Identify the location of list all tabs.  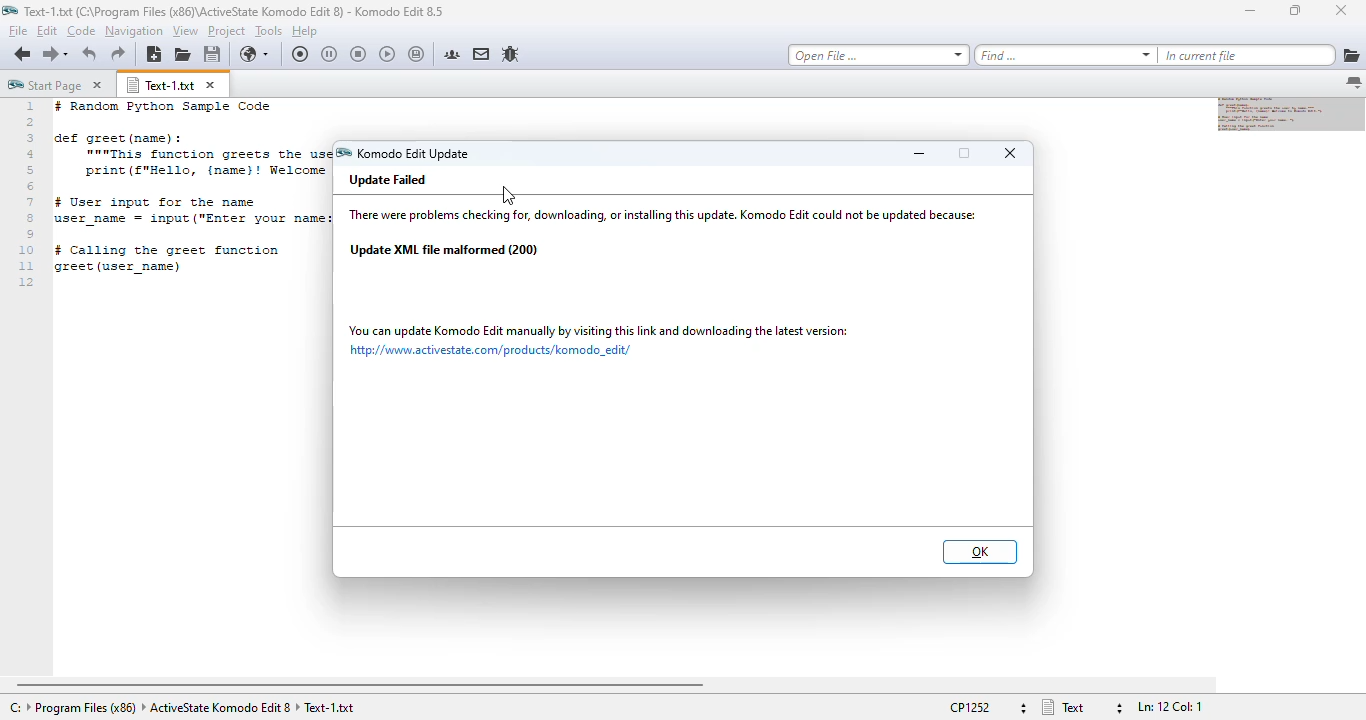
(1354, 83).